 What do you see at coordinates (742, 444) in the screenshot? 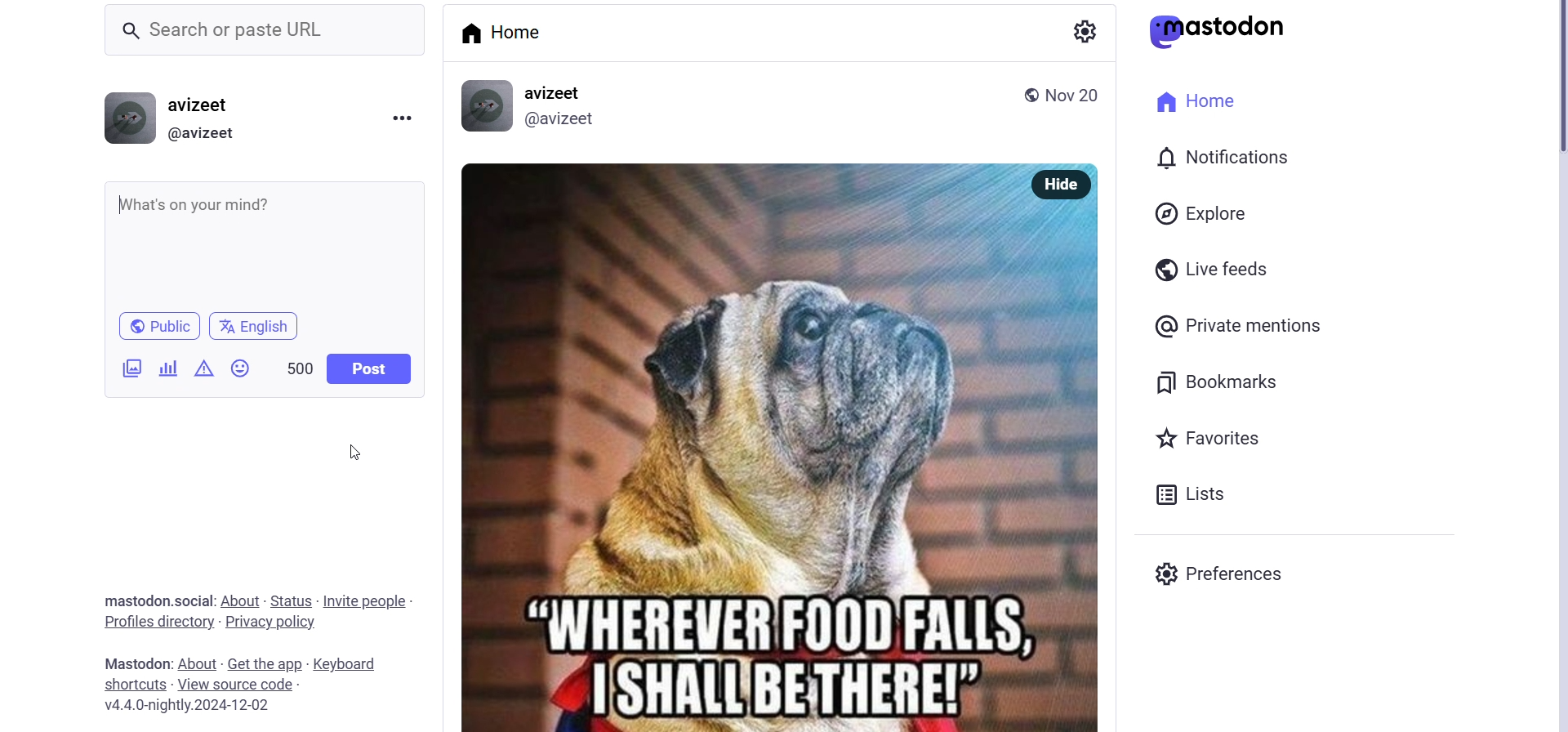
I see `post image` at bounding box center [742, 444].